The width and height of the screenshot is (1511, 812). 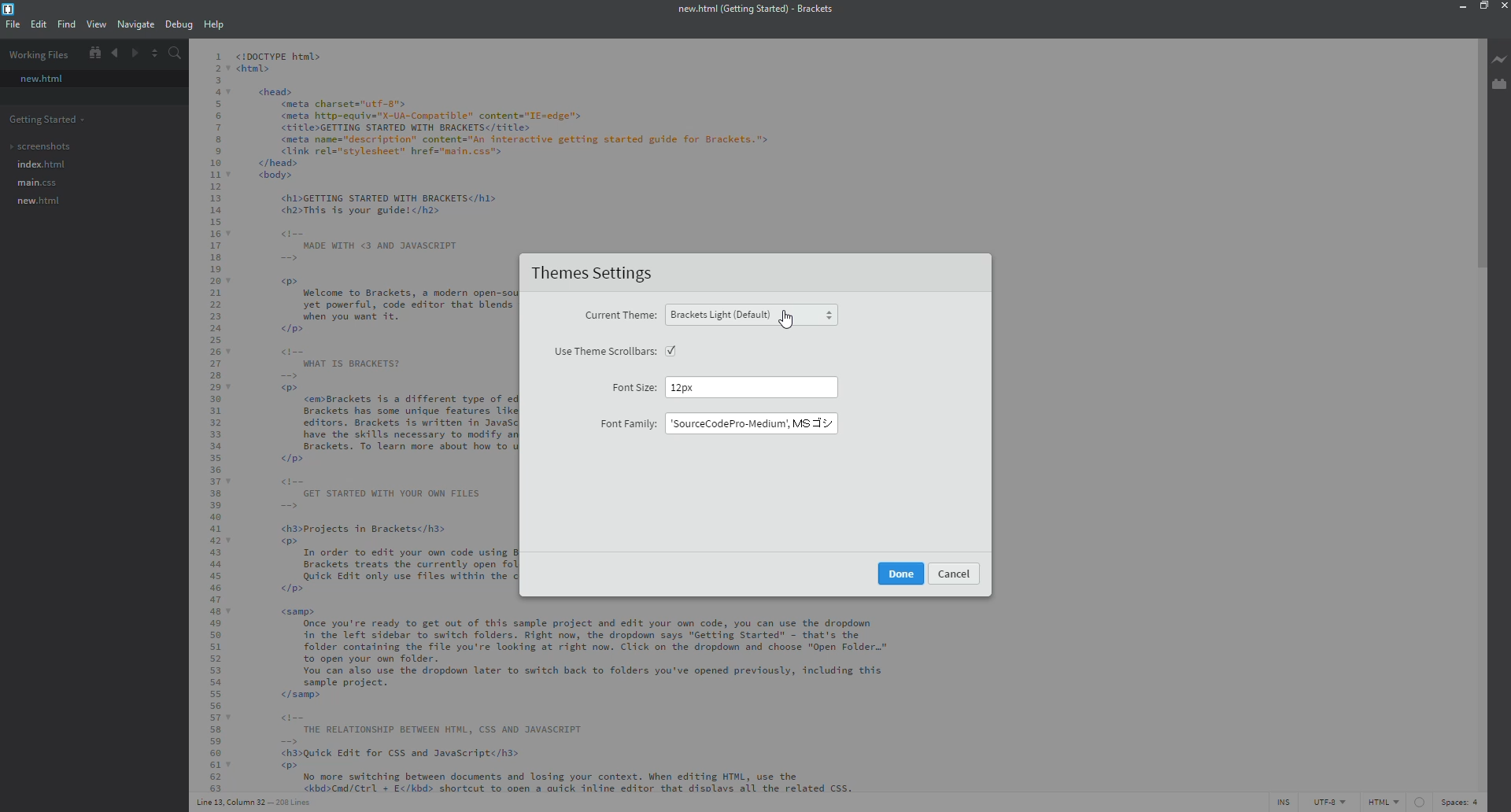 What do you see at coordinates (40, 146) in the screenshot?
I see `screenshots` at bounding box center [40, 146].